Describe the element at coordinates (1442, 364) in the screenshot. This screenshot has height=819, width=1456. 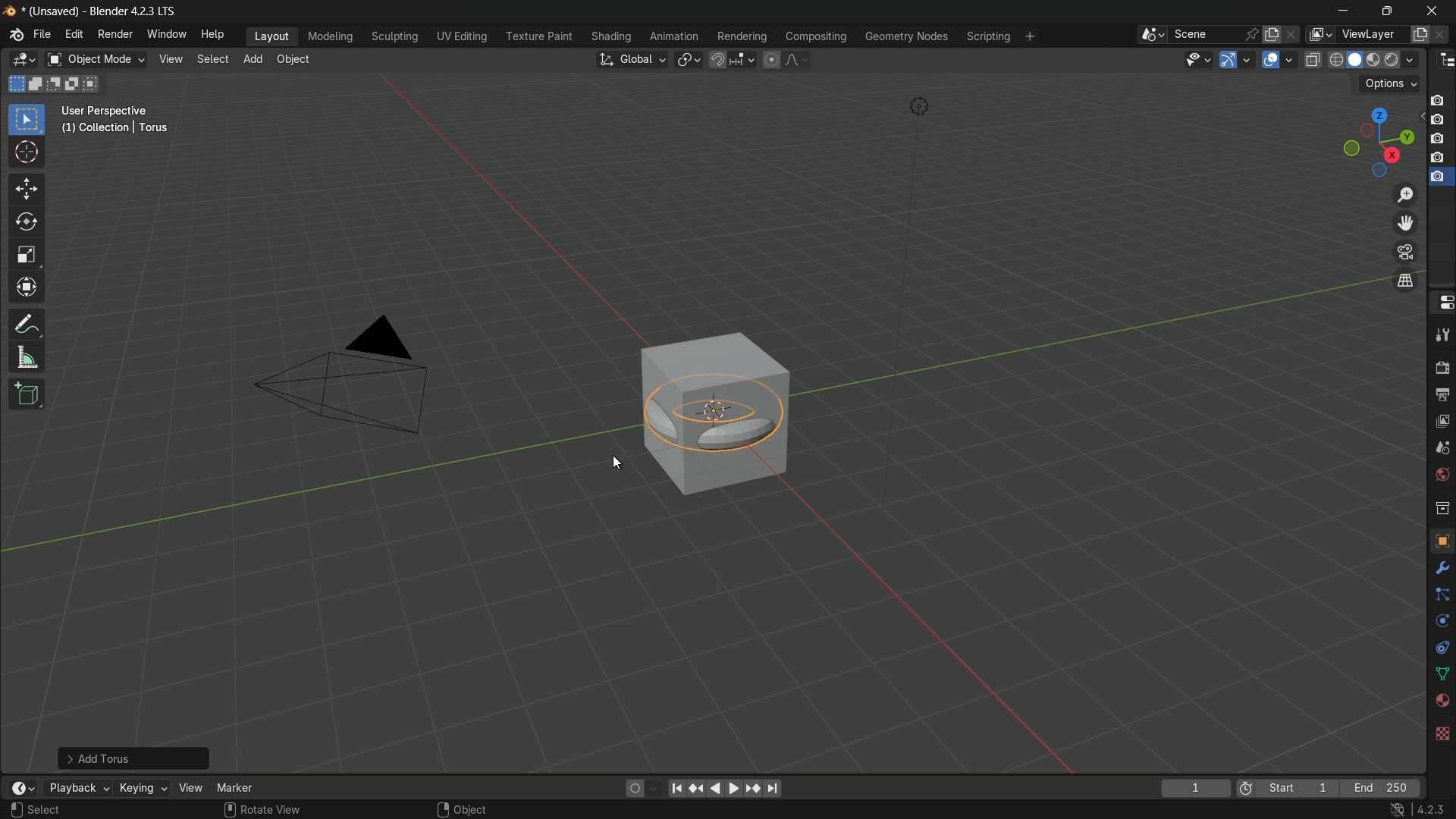
I see `render` at that location.